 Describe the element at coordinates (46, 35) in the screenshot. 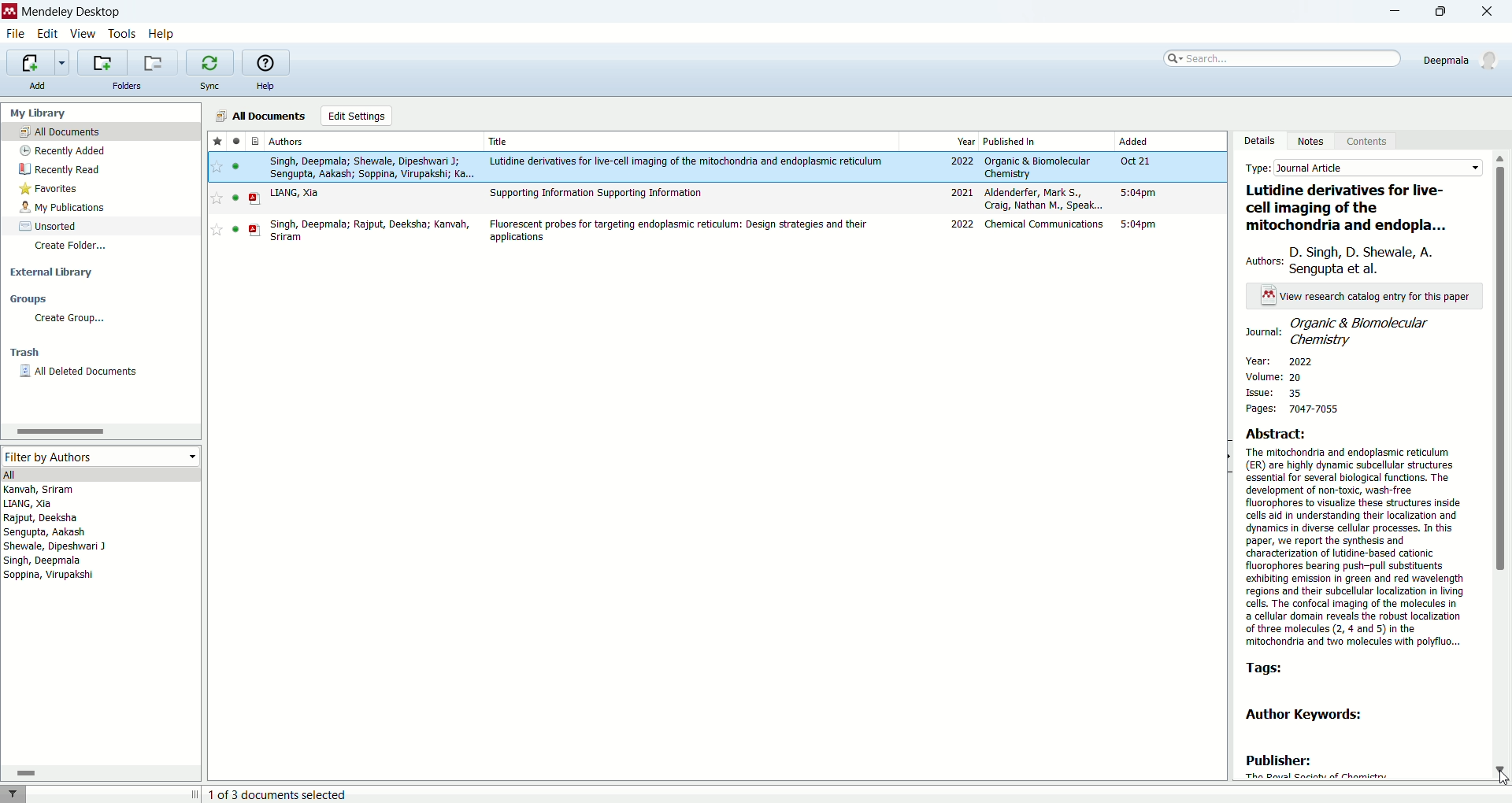

I see `edit` at that location.